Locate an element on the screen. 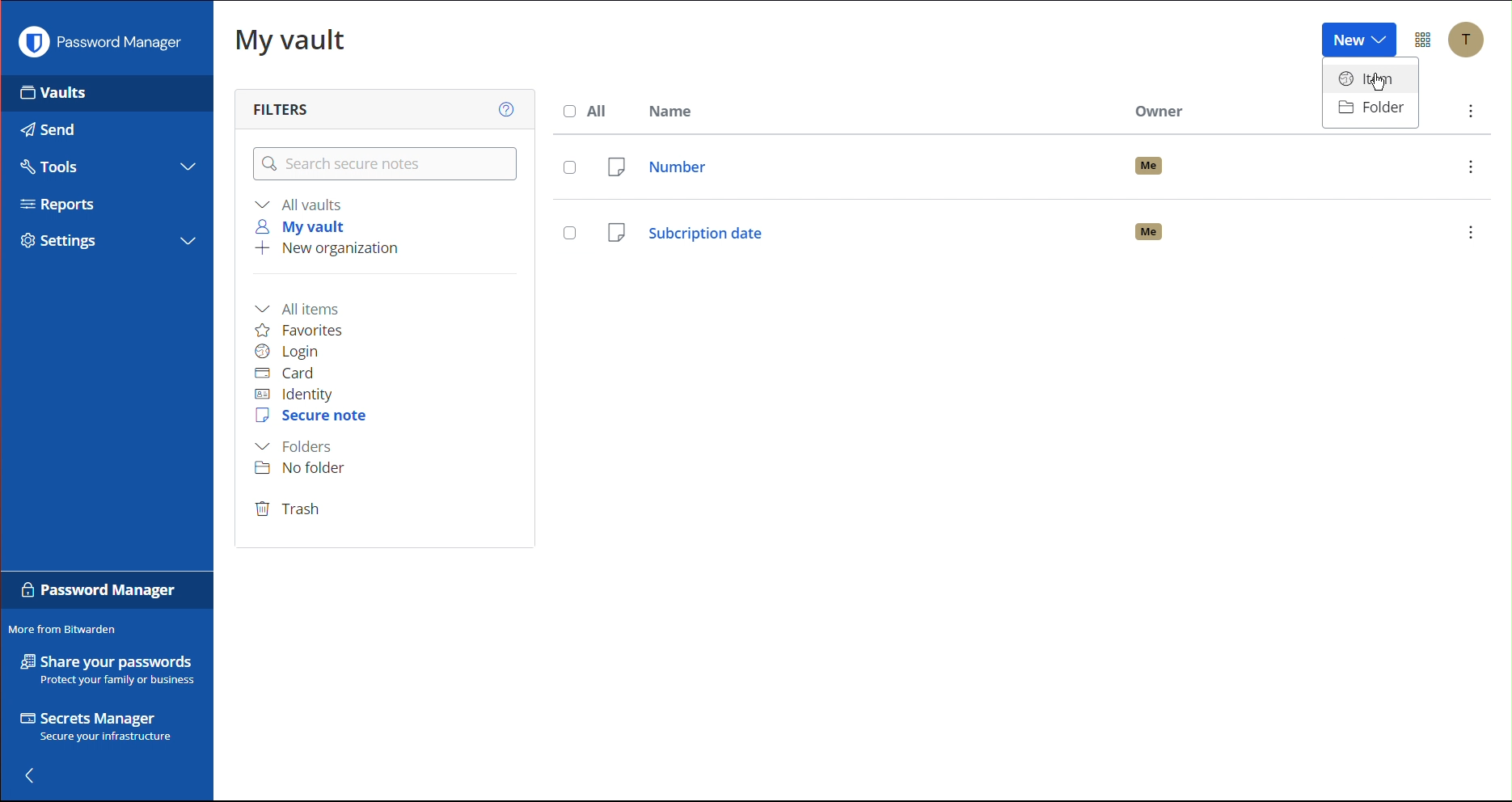 The height and width of the screenshot is (802, 1512). My vault is located at coordinates (305, 226).